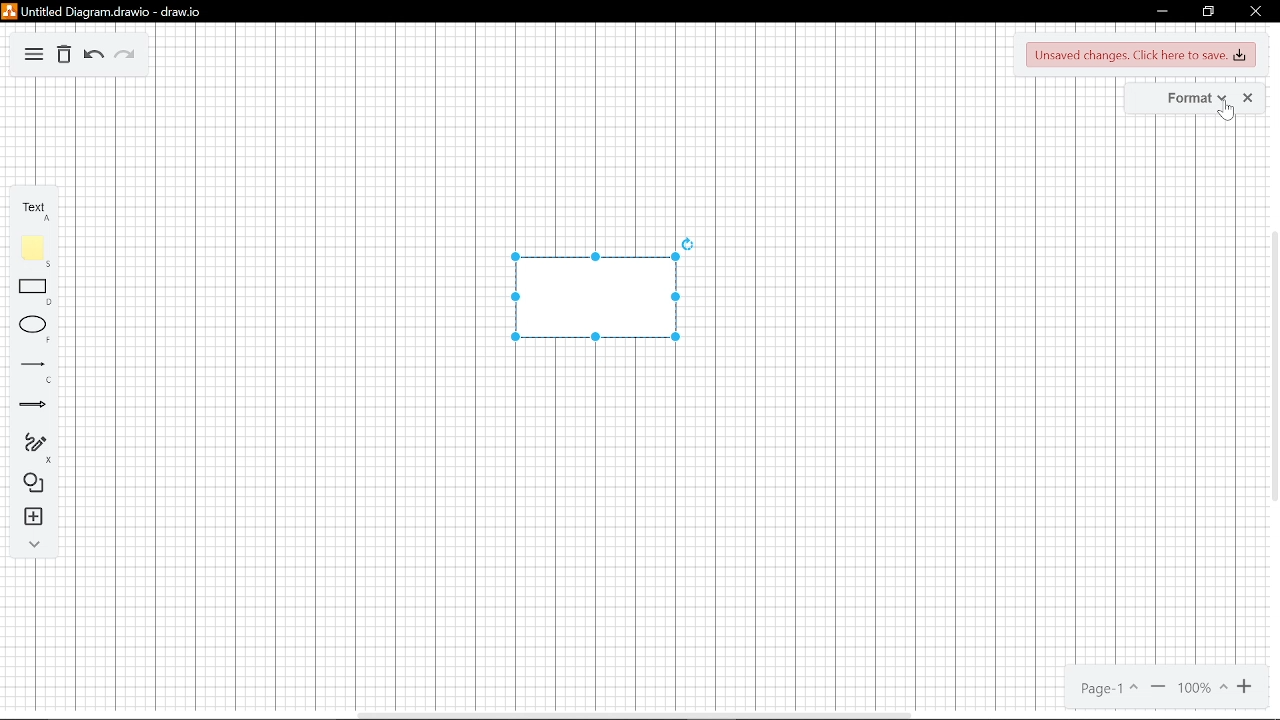  What do you see at coordinates (32, 518) in the screenshot?
I see `add` at bounding box center [32, 518].